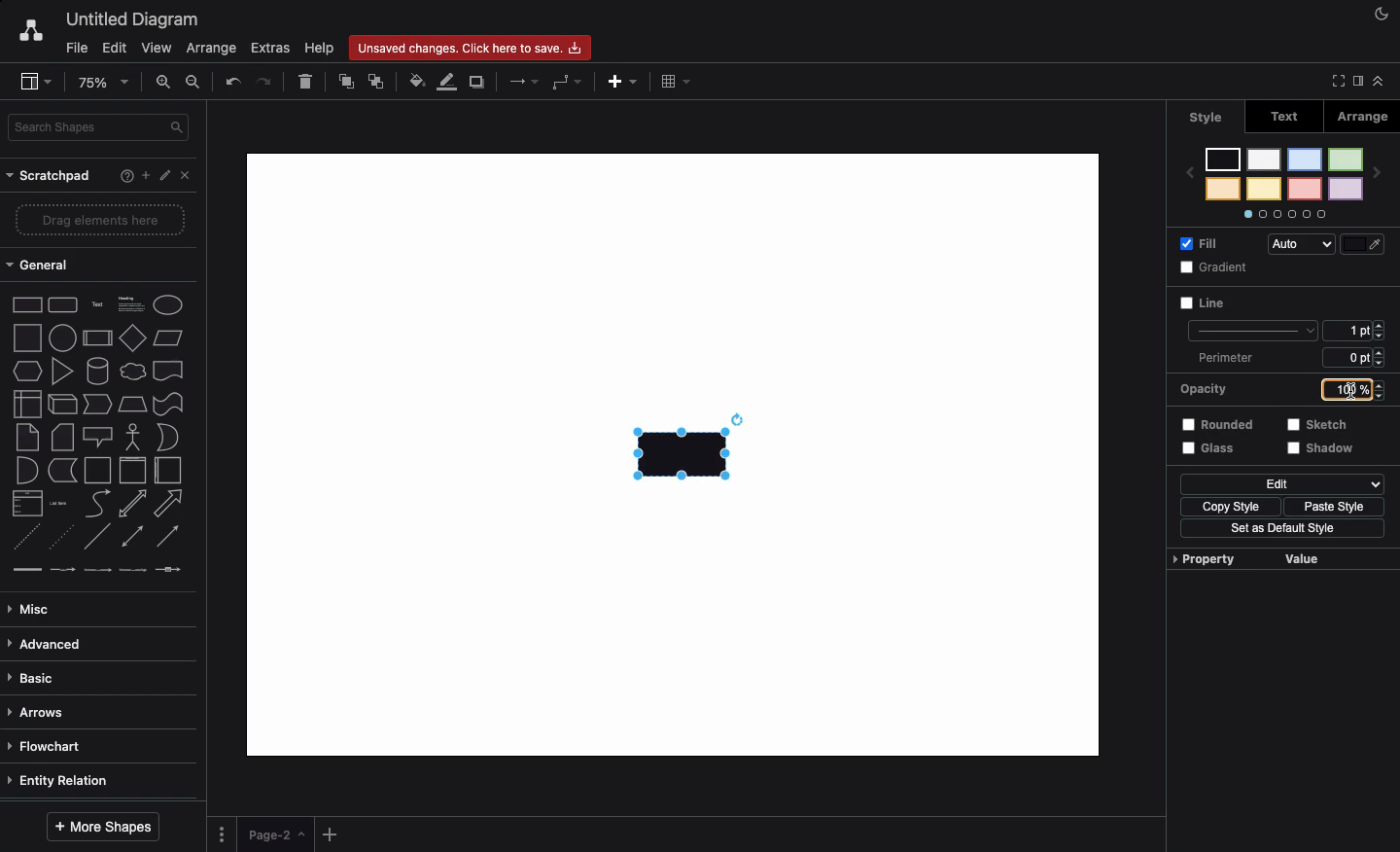 The height and width of the screenshot is (852, 1400). What do you see at coordinates (28, 437) in the screenshot?
I see `note` at bounding box center [28, 437].